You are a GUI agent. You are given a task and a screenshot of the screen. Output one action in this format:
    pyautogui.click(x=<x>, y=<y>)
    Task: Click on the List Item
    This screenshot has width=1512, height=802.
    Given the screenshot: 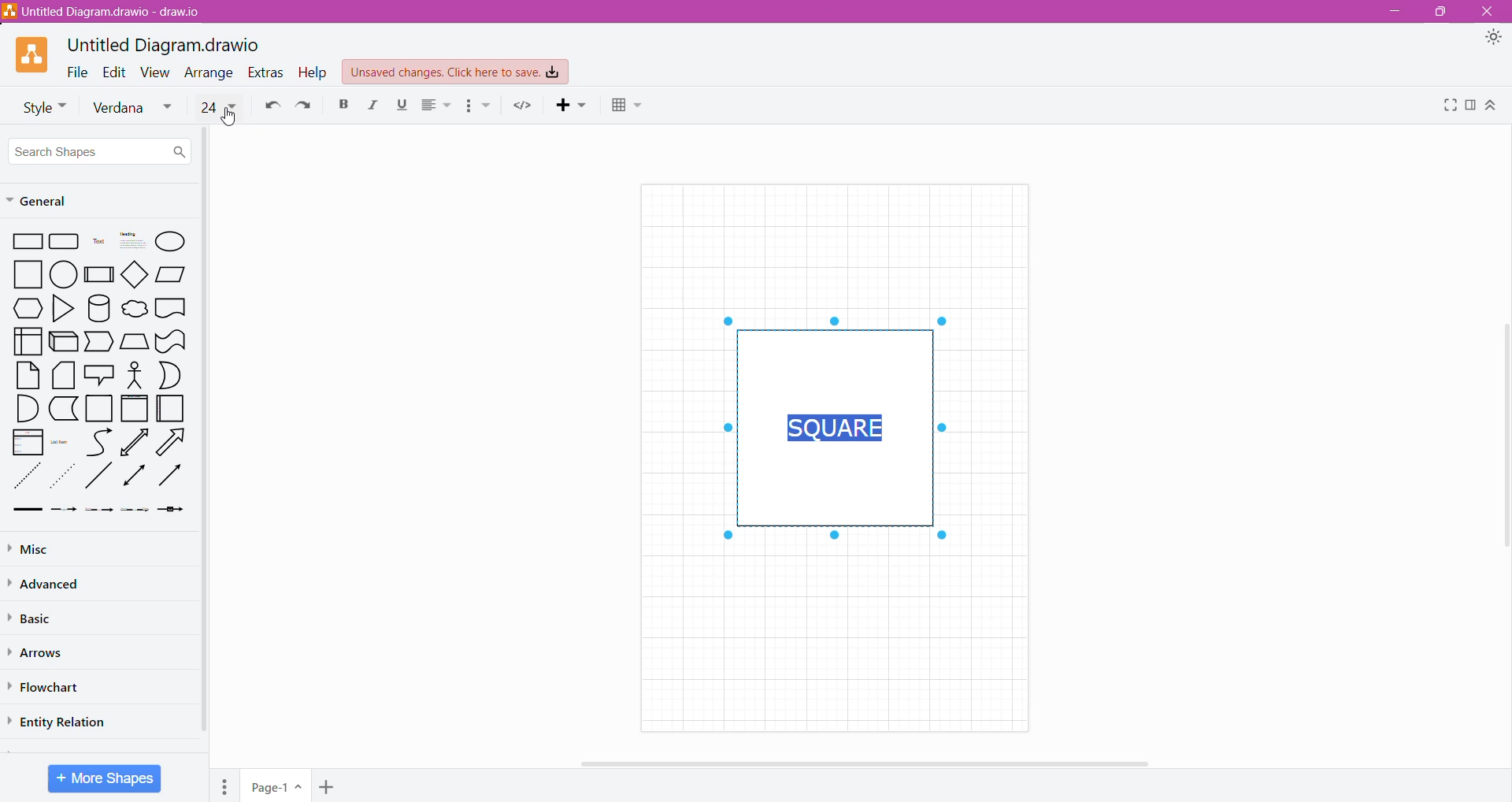 What is the action you would take?
    pyautogui.click(x=61, y=445)
    